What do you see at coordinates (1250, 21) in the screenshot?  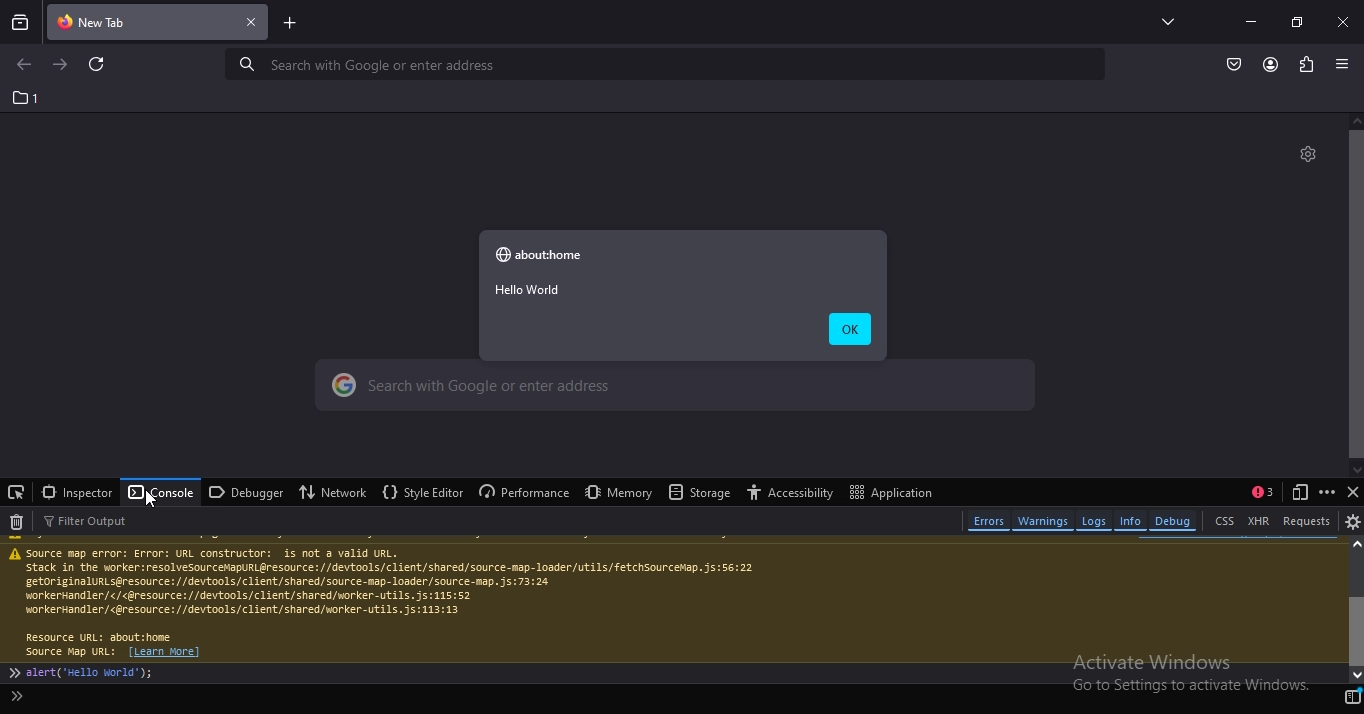 I see `minimize` at bounding box center [1250, 21].